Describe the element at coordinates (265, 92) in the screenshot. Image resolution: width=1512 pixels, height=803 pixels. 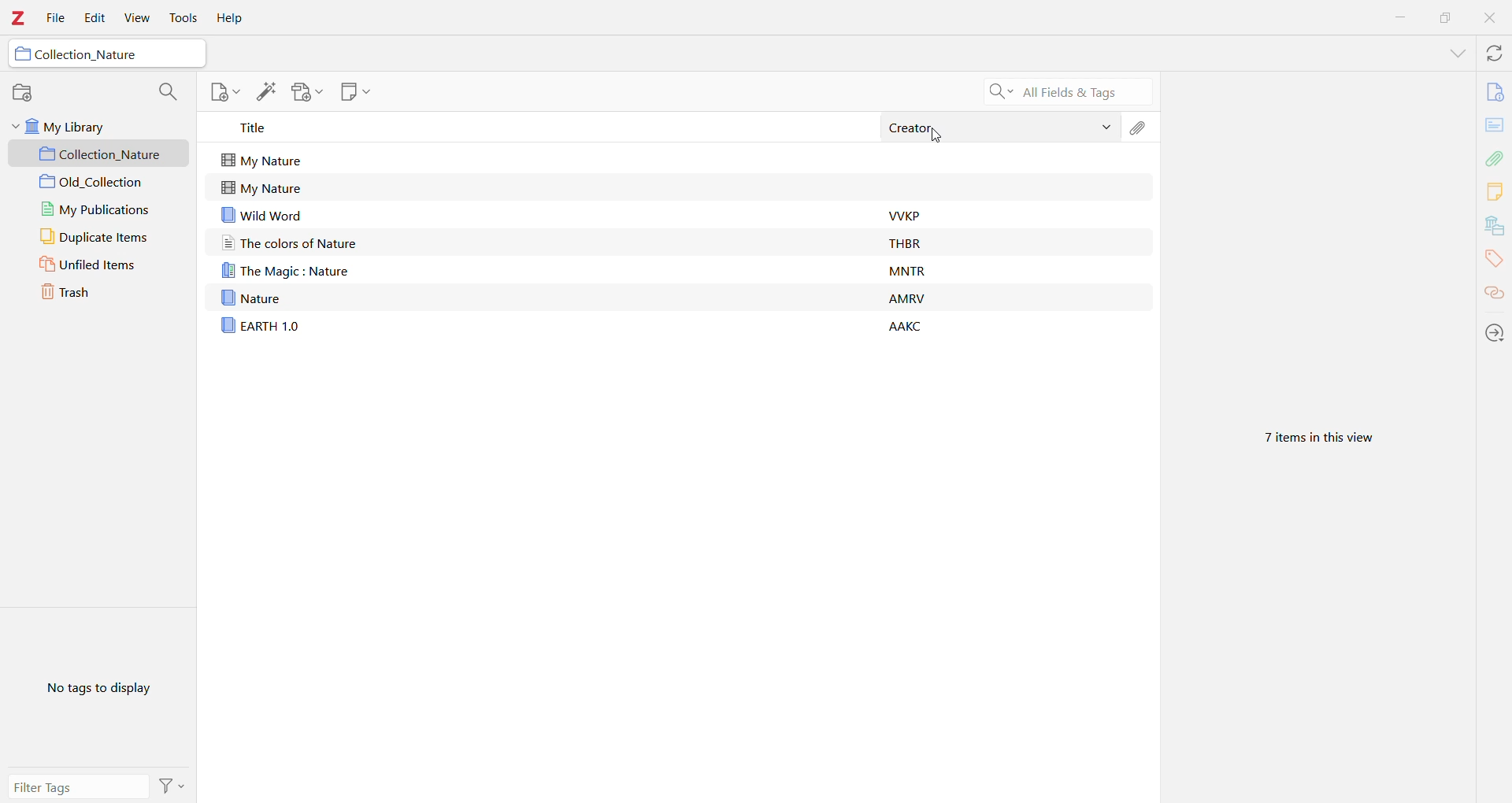
I see `Add Item(s) by Identifier` at that location.